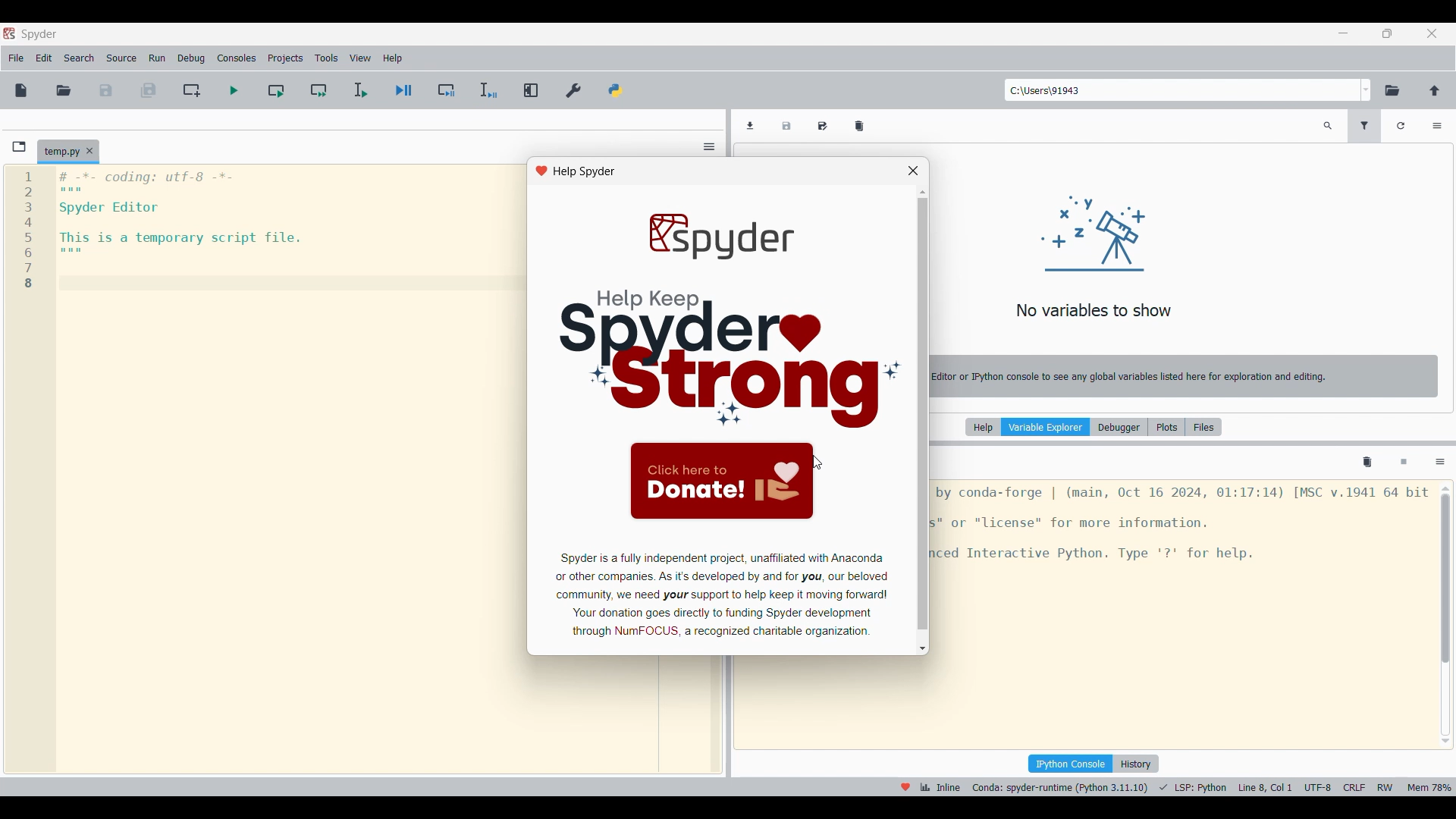  I want to click on Folder location options , so click(1366, 89).